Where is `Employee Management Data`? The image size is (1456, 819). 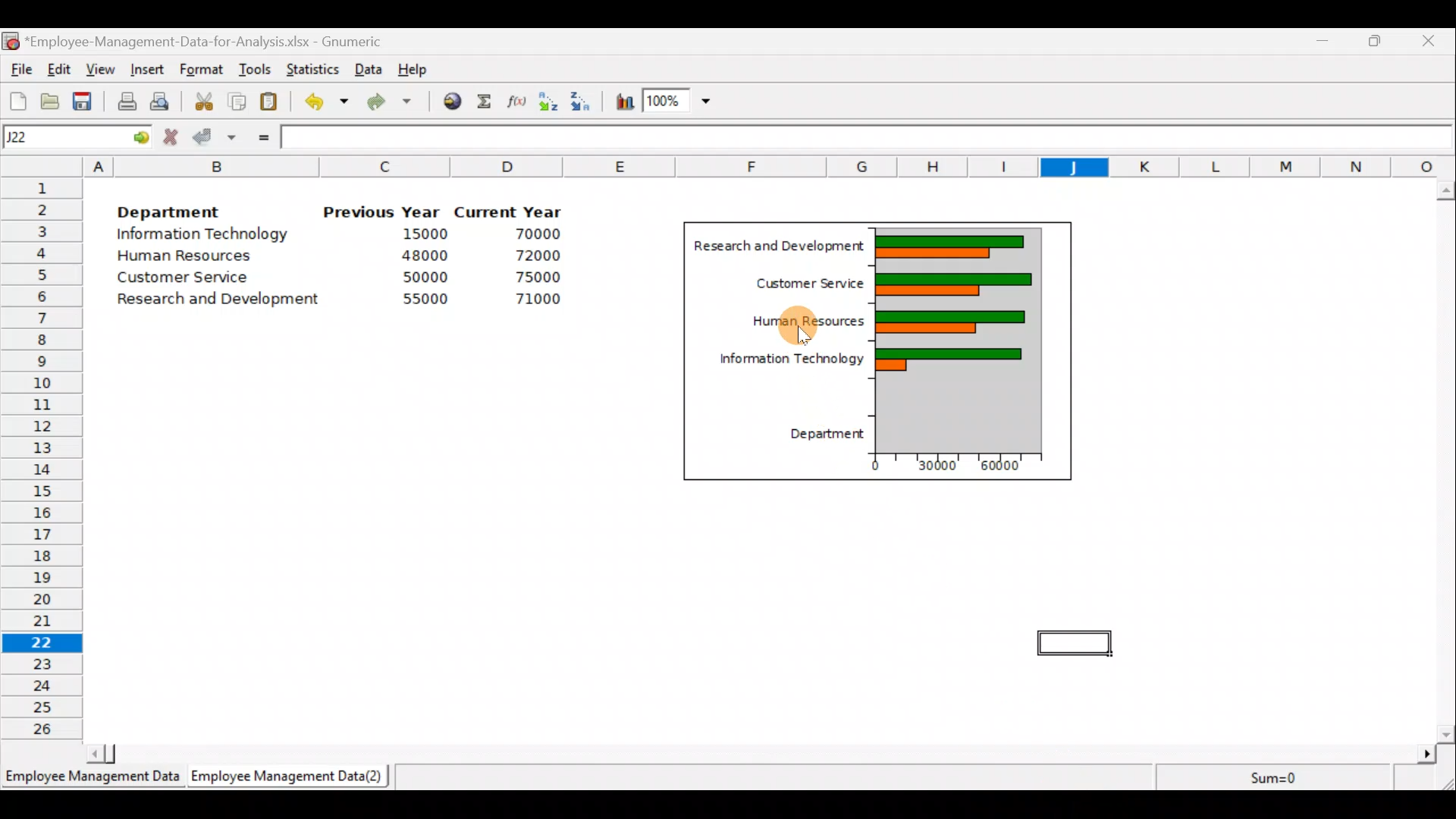 Employee Management Data is located at coordinates (91, 777).